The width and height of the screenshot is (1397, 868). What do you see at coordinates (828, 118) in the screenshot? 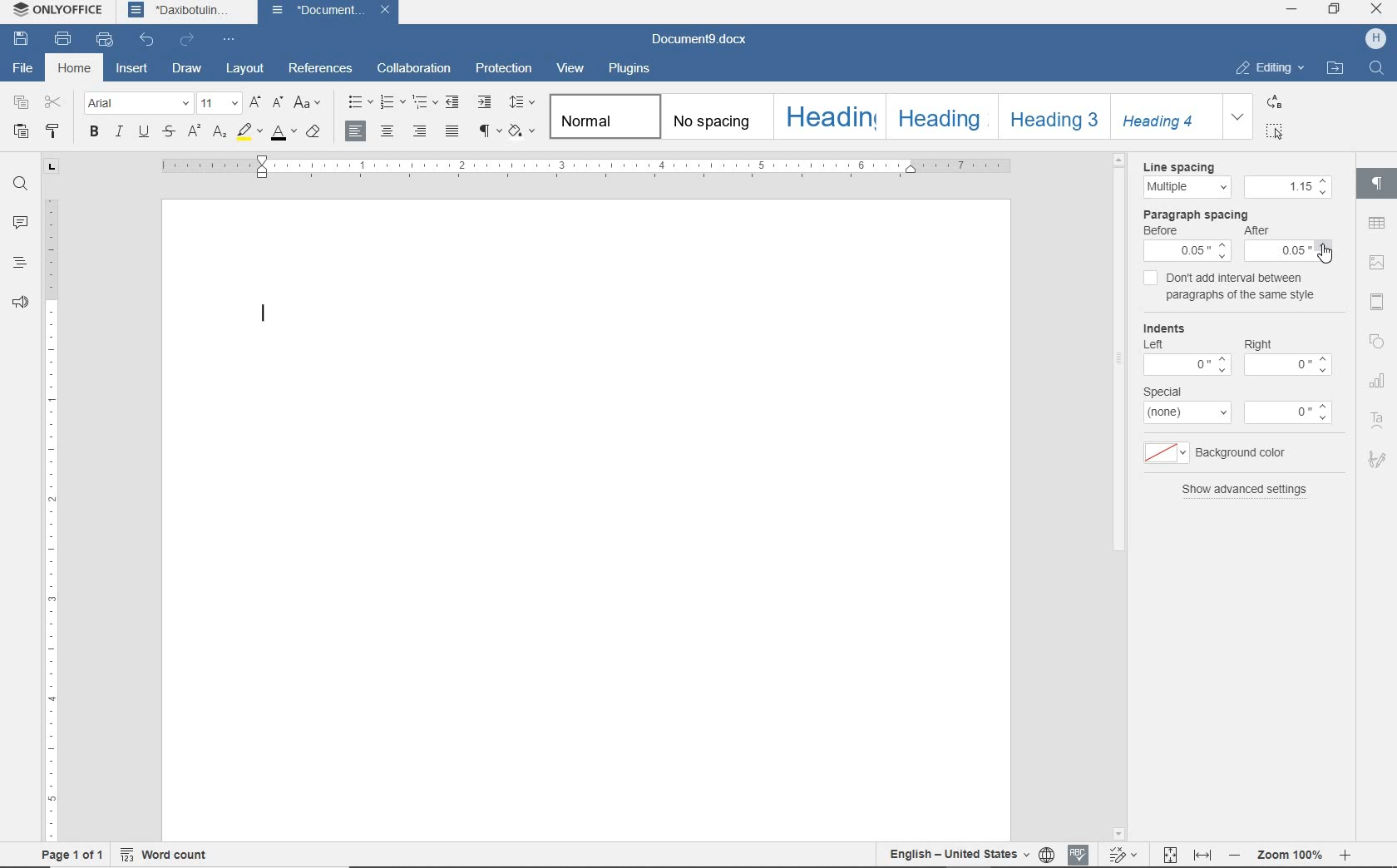
I see `heading 1` at bounding box center [828, 118].